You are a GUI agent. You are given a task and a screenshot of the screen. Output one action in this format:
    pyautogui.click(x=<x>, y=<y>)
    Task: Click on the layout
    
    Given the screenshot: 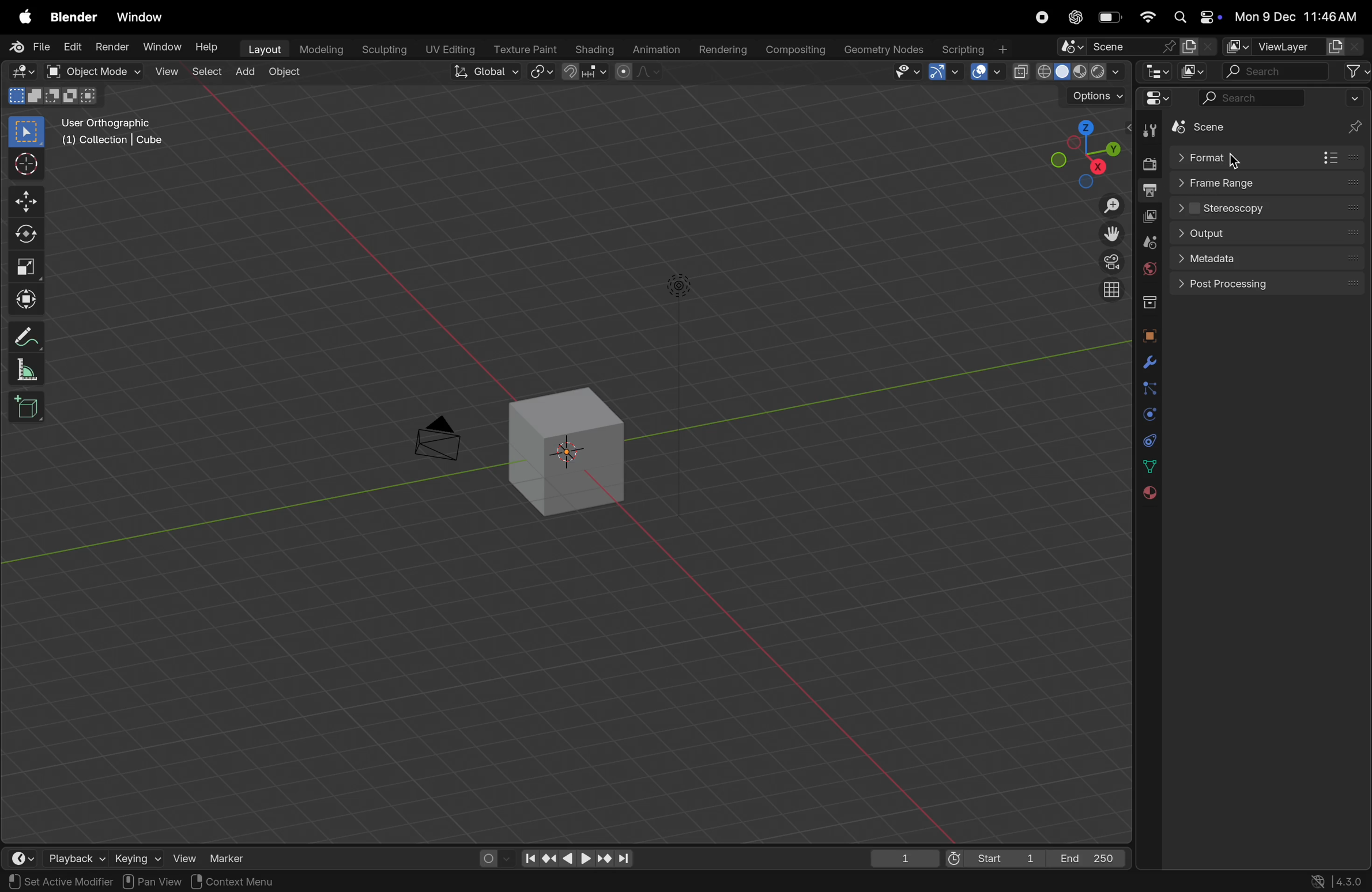 What is the action you would take?
    pyautogui.click(x=260, y=49)
    